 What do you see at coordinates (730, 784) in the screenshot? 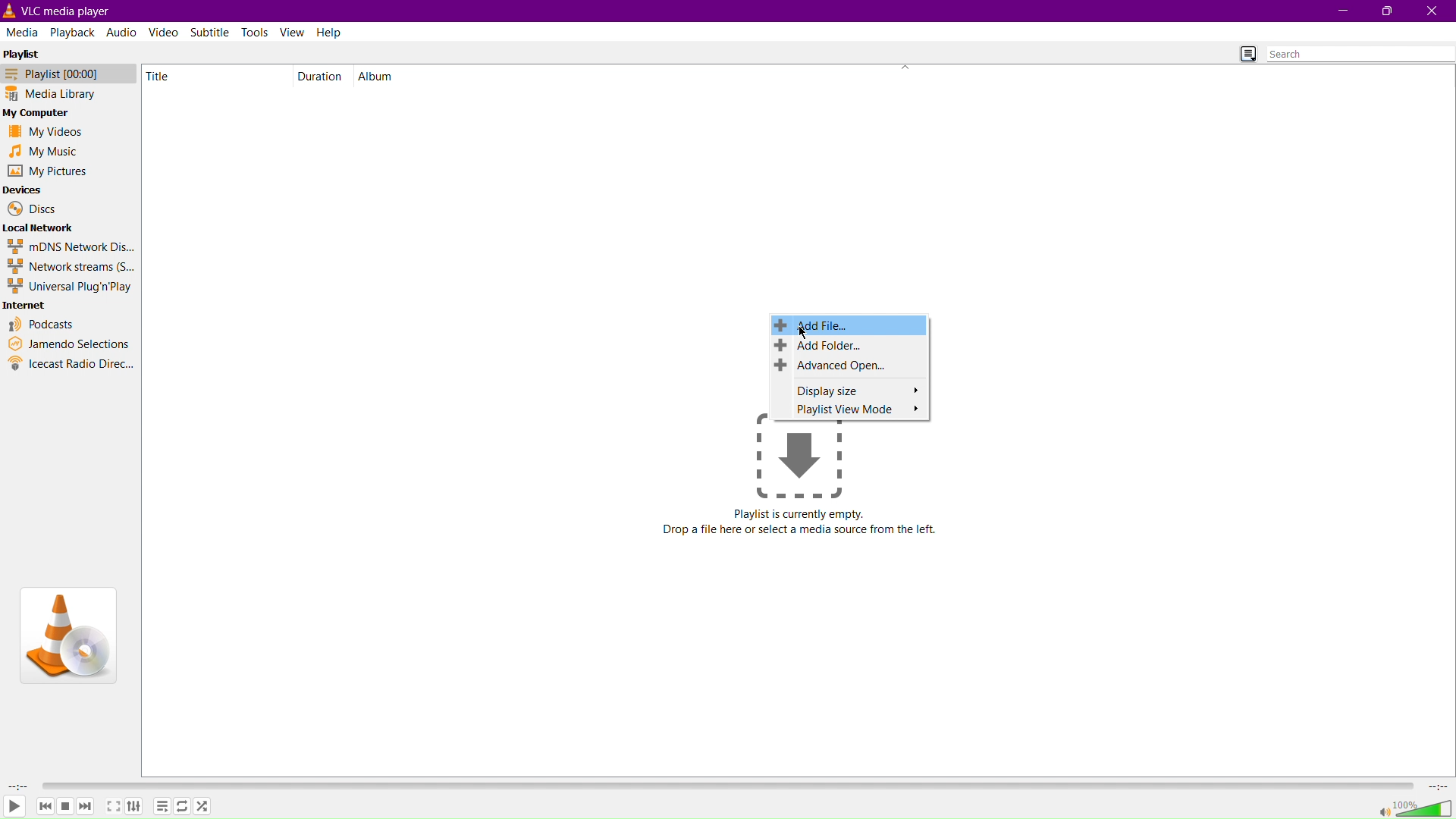
I see `Timeline` at bounding box center [730, 784].